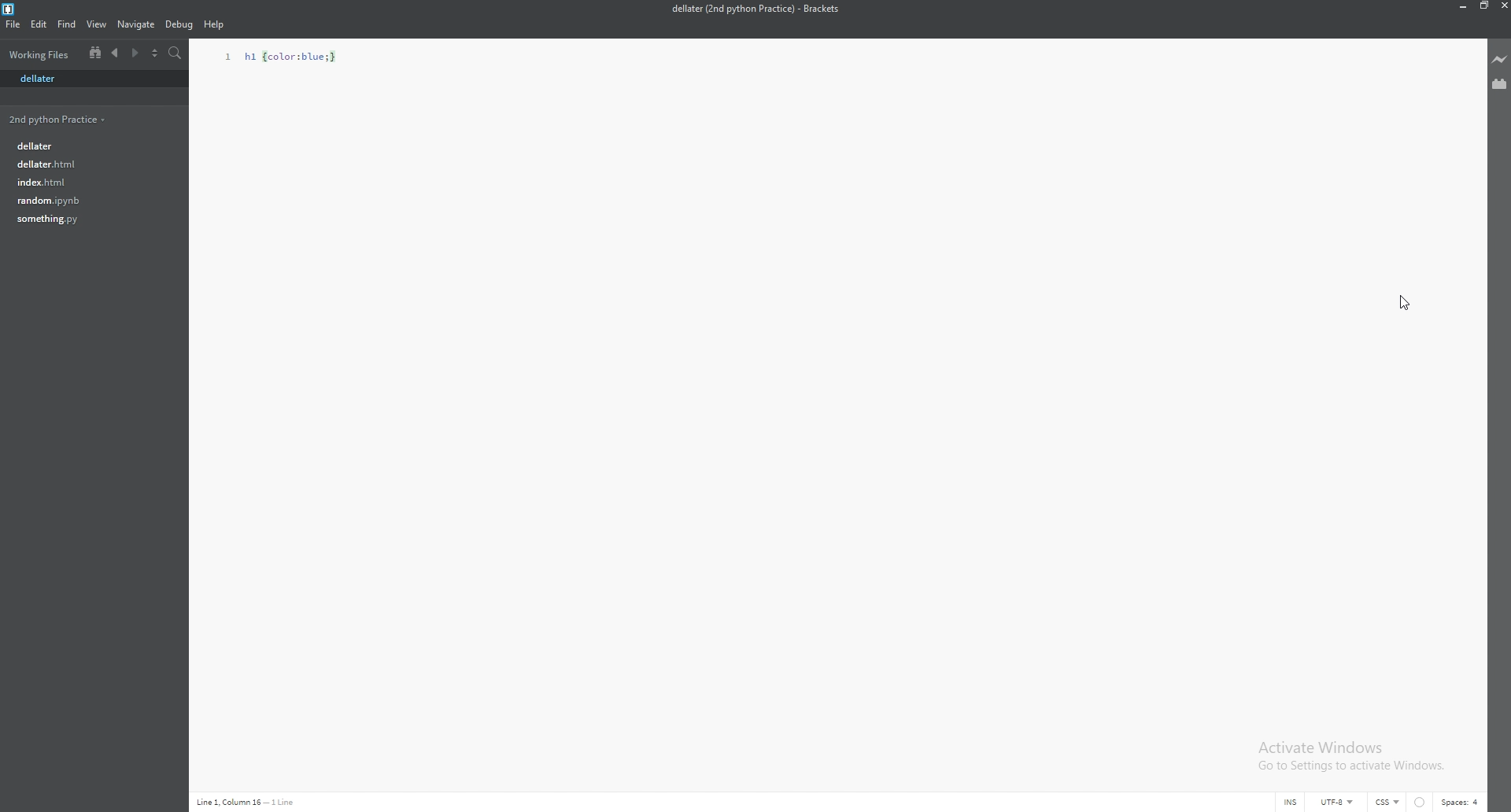 The height and width of the screenshot is (812, 1511). I want to click on folder, so click(60, 119).